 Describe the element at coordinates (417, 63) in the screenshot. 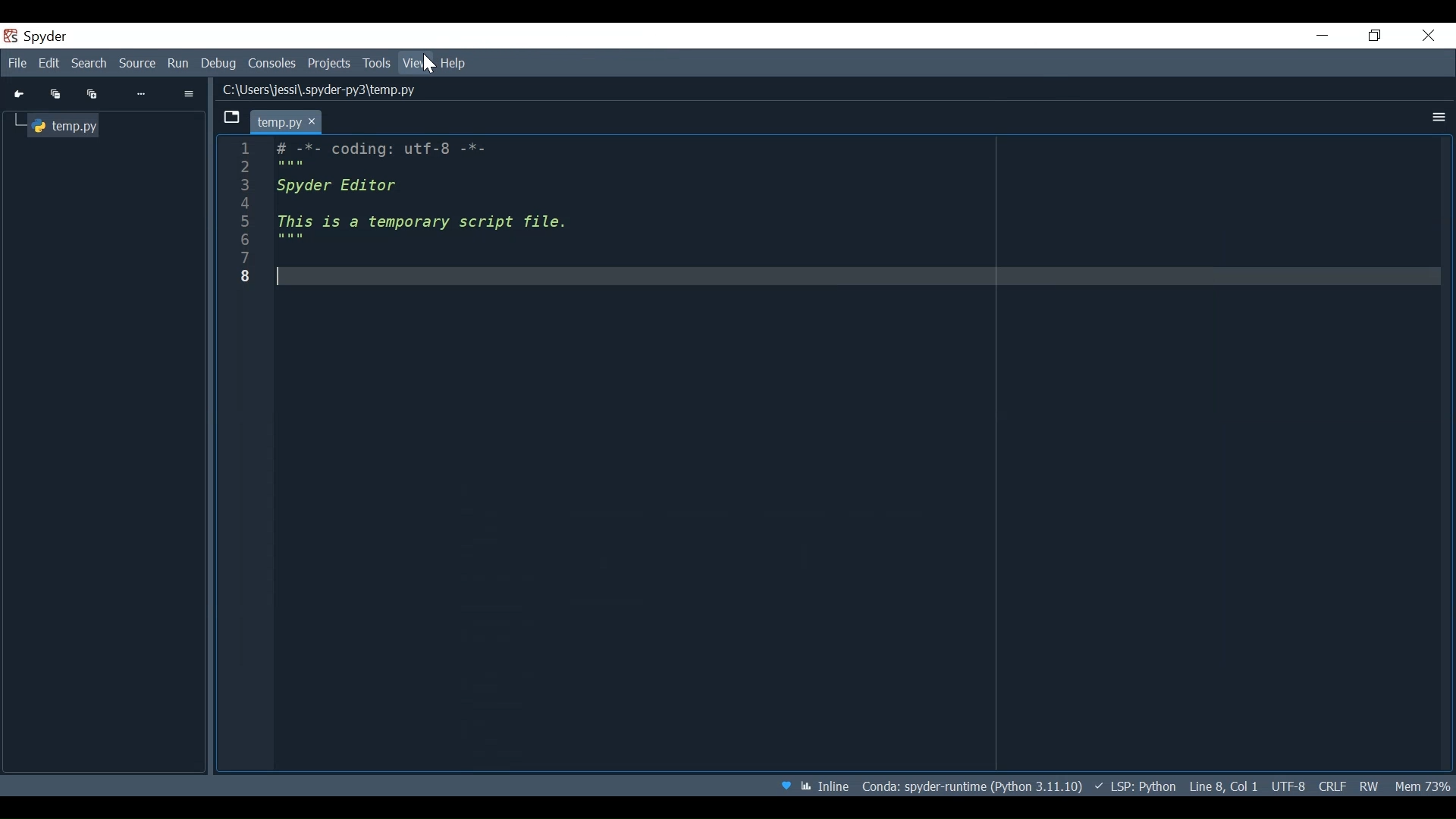

I see `View` at that location.